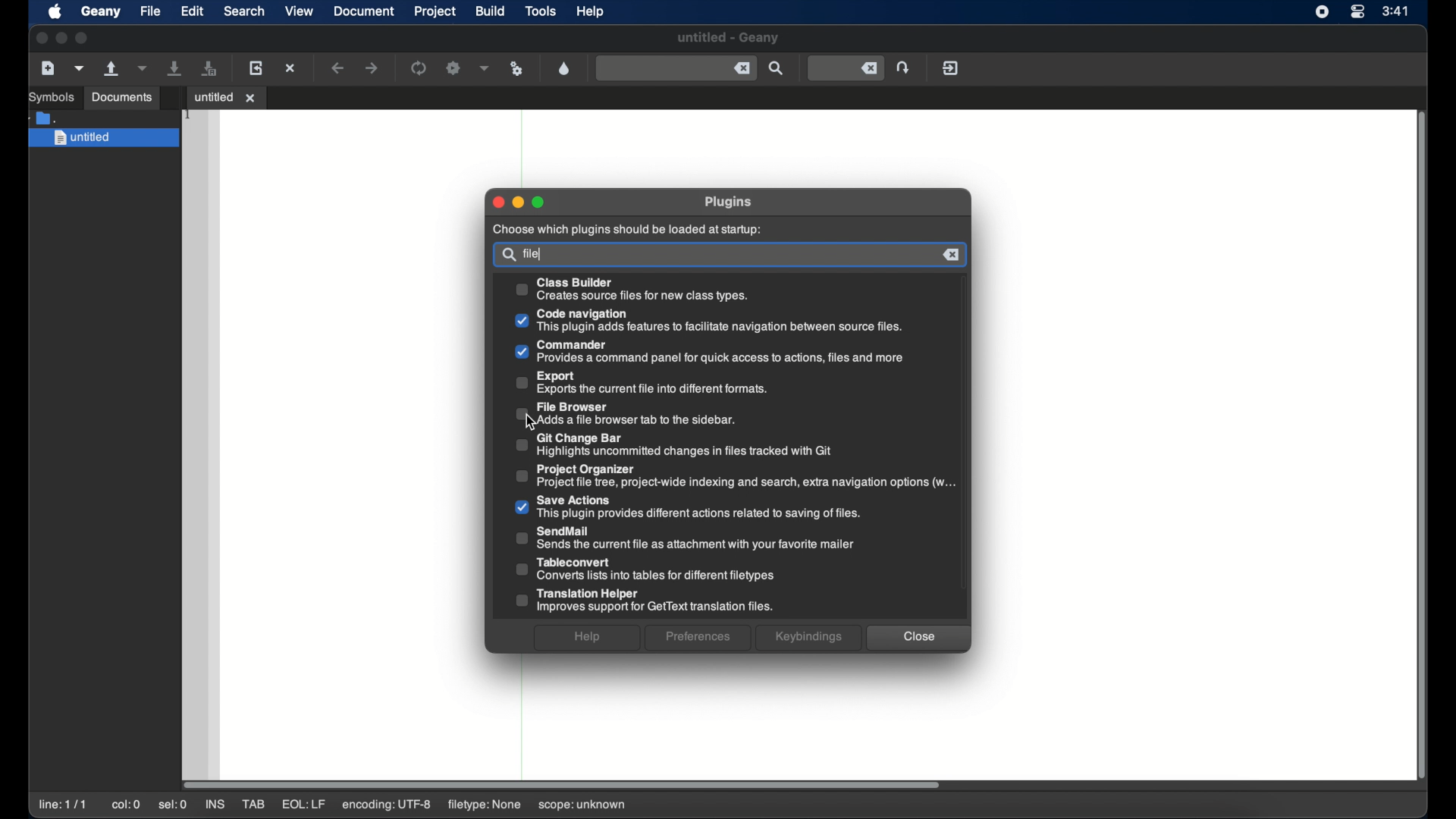 The height and width of the screenshot is (819, 1456). What do you see at coordinates (226, 96) in the screenshot?
I see `untitled 1` at bounding box center [226, 96].